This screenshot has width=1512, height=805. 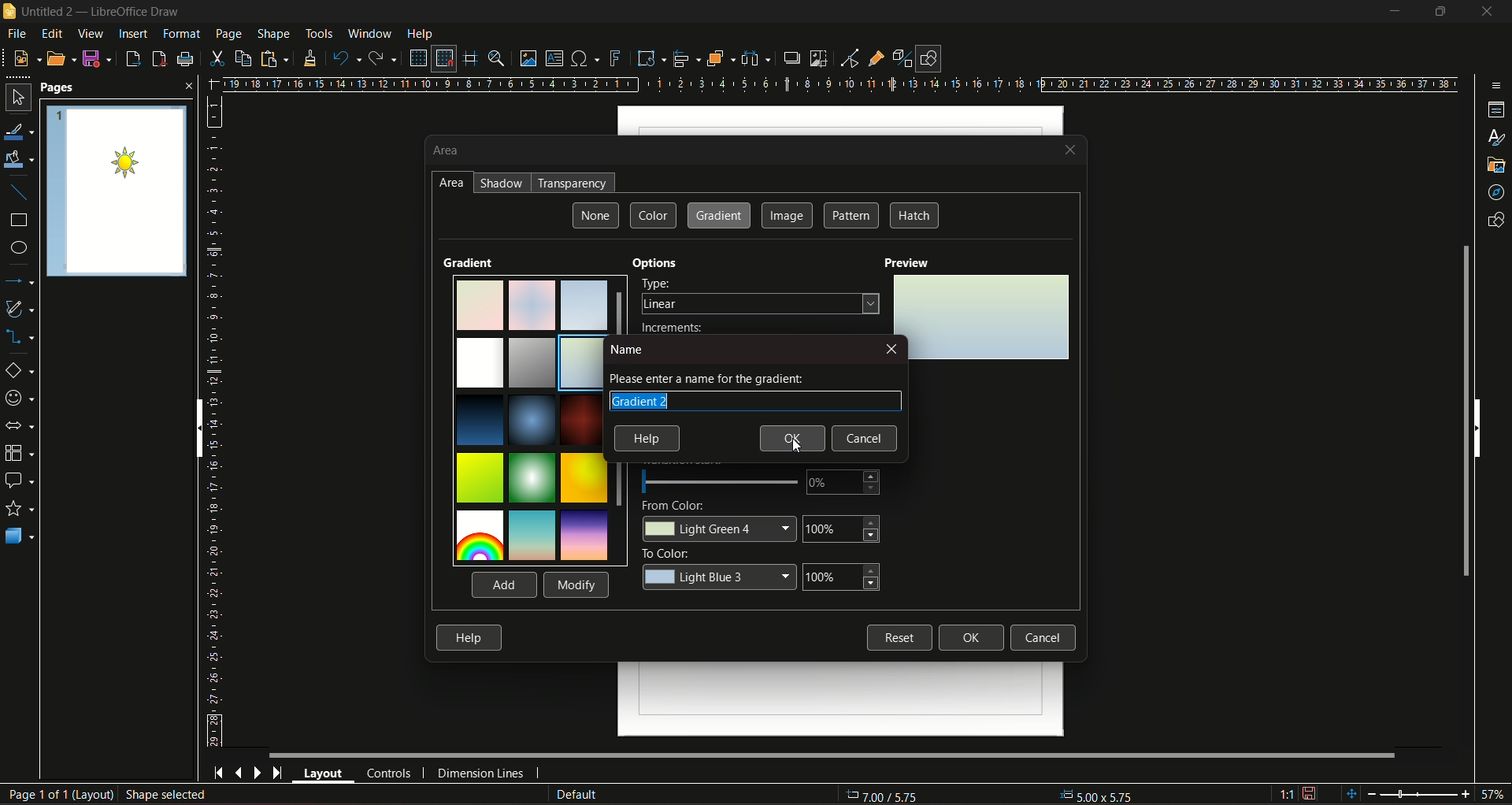 I want to click on Ok, so click(x=791, y=440).